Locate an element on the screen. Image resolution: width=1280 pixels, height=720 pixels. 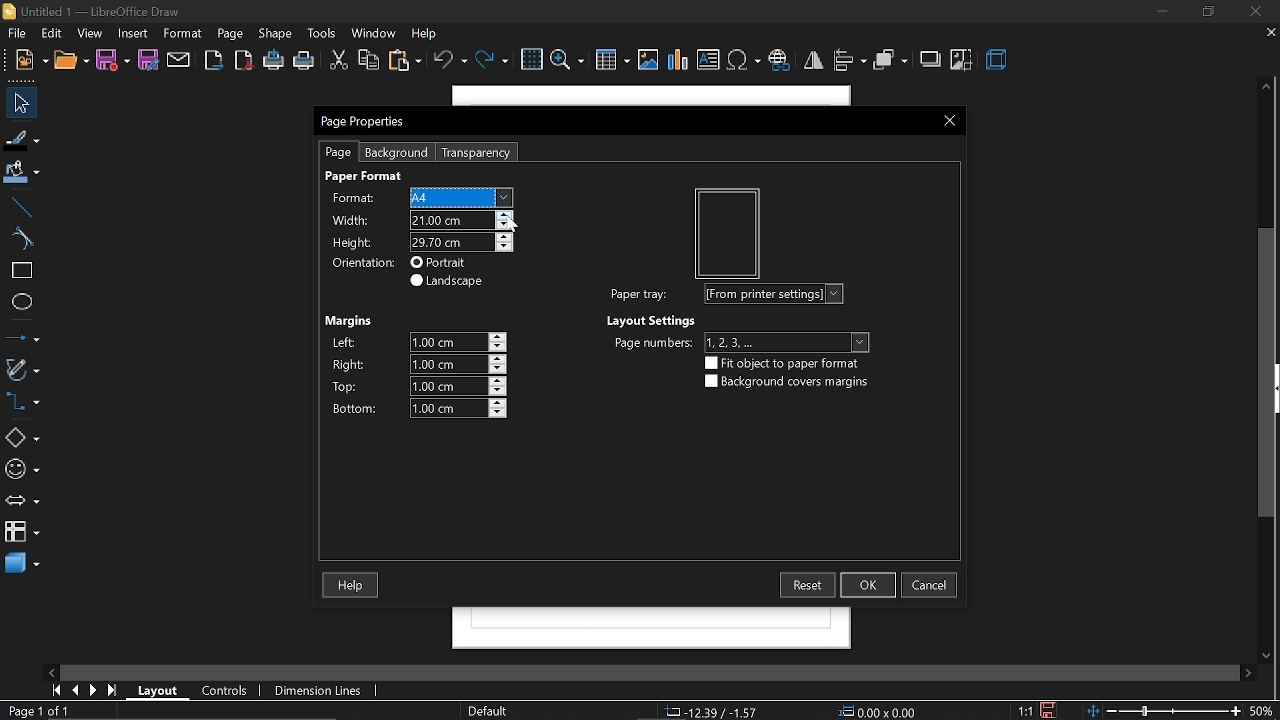
curves and polygon is located at coordinates (23, 369).